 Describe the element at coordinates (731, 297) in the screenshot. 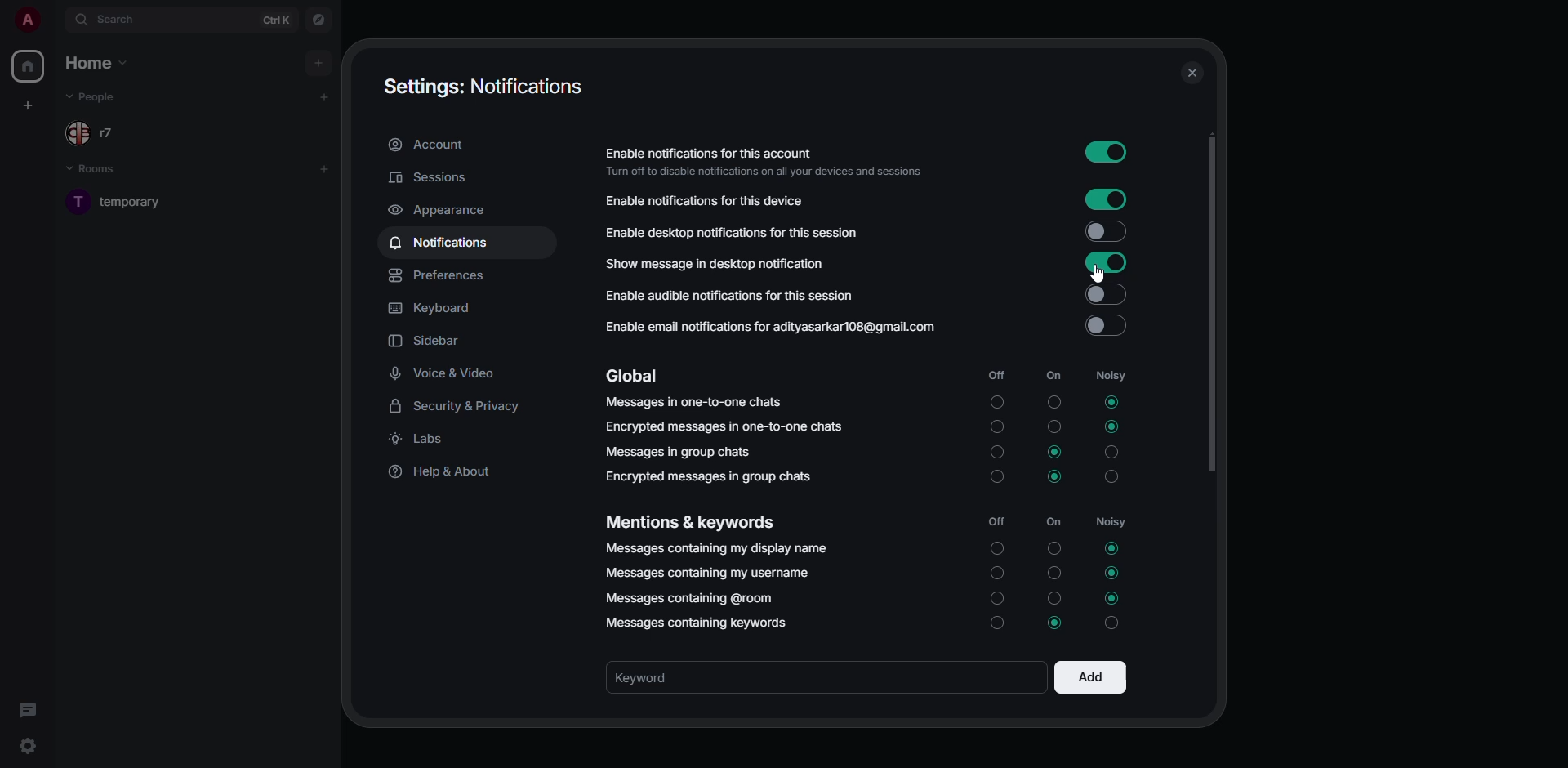

I see `enable audible notifications` at that location.